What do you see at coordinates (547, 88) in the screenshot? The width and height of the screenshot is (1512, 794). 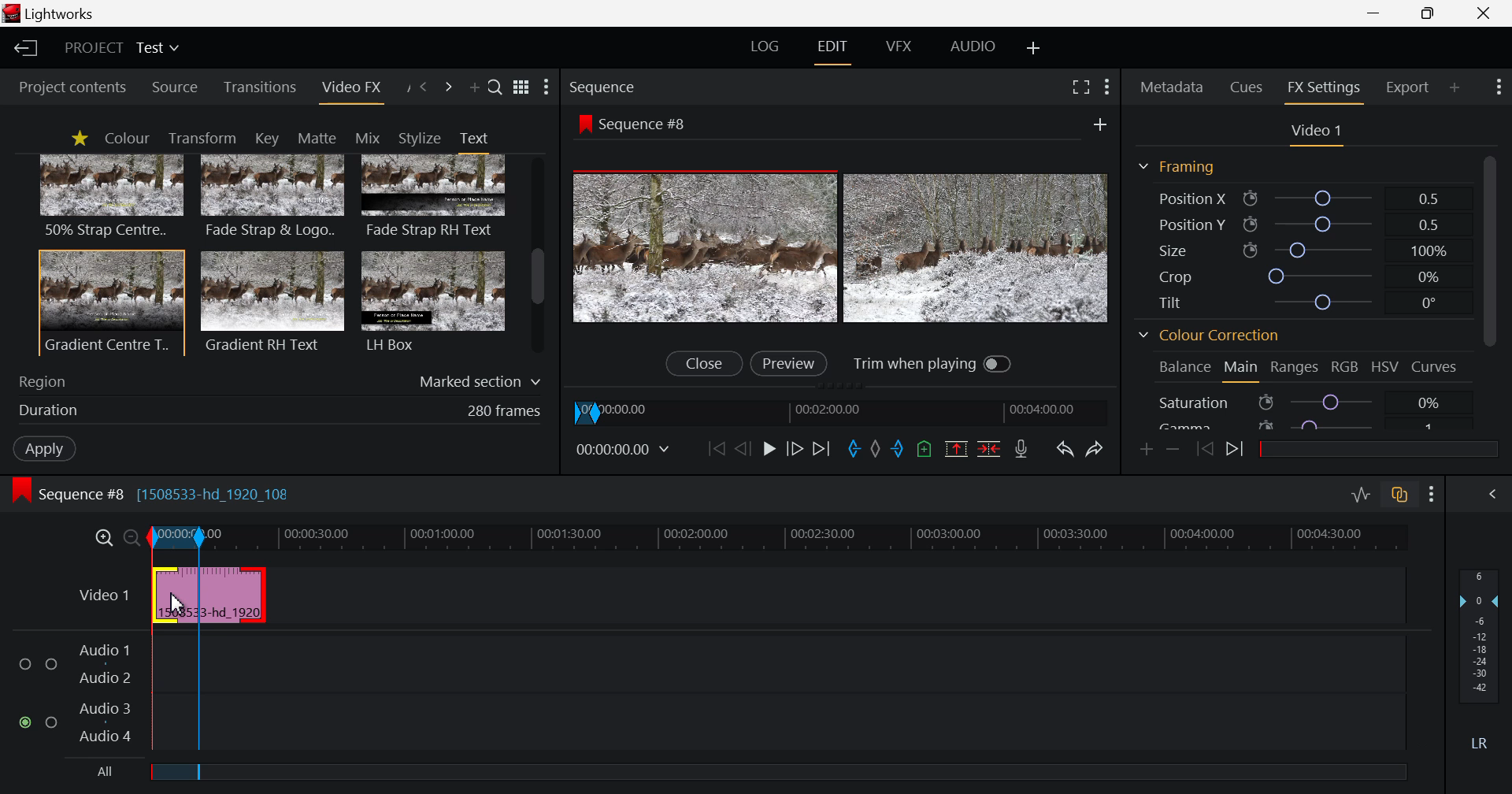 I see `Show Settings` at bounding box center [547, 88].